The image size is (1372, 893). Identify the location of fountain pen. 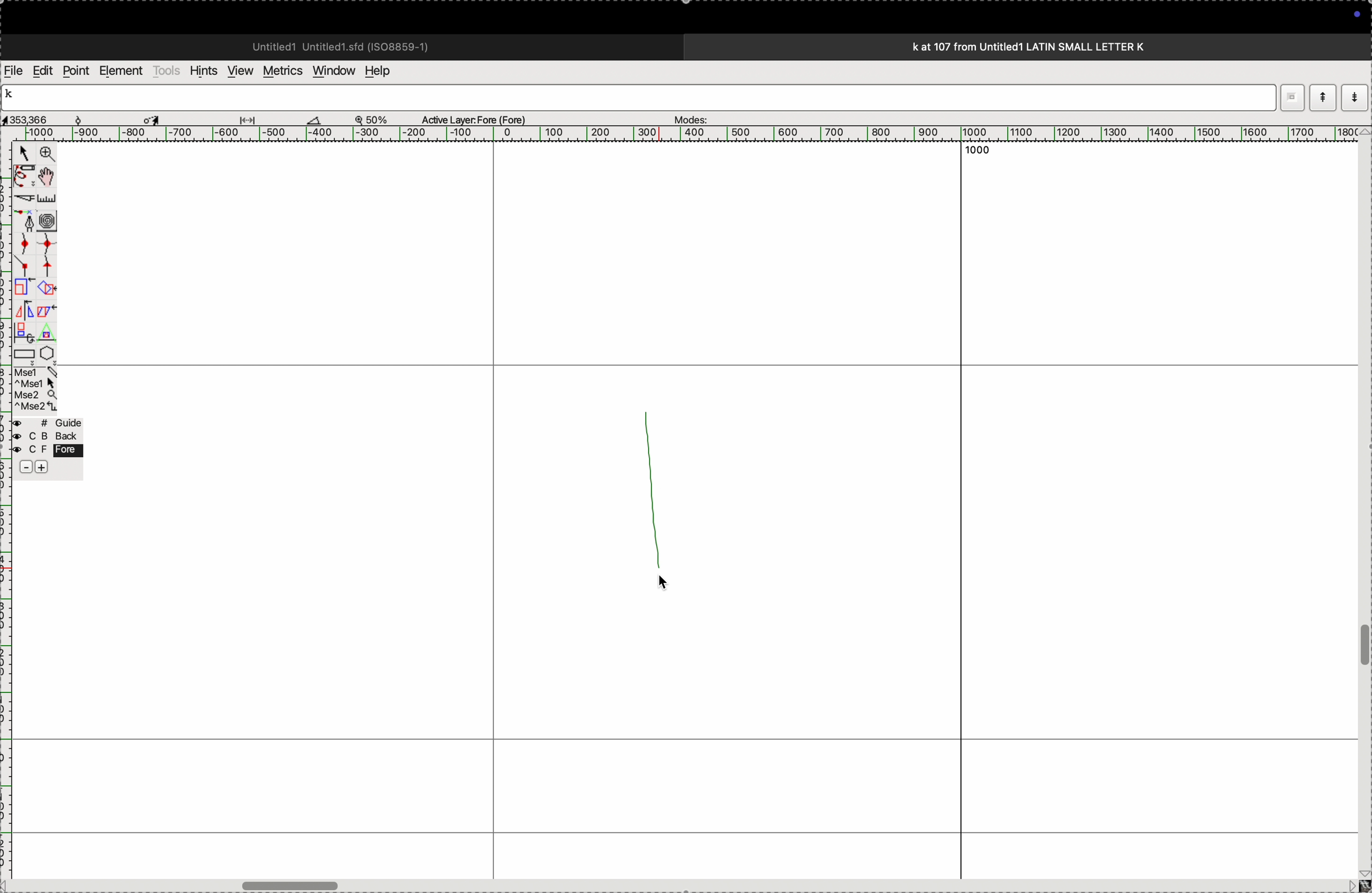
(28, 221).